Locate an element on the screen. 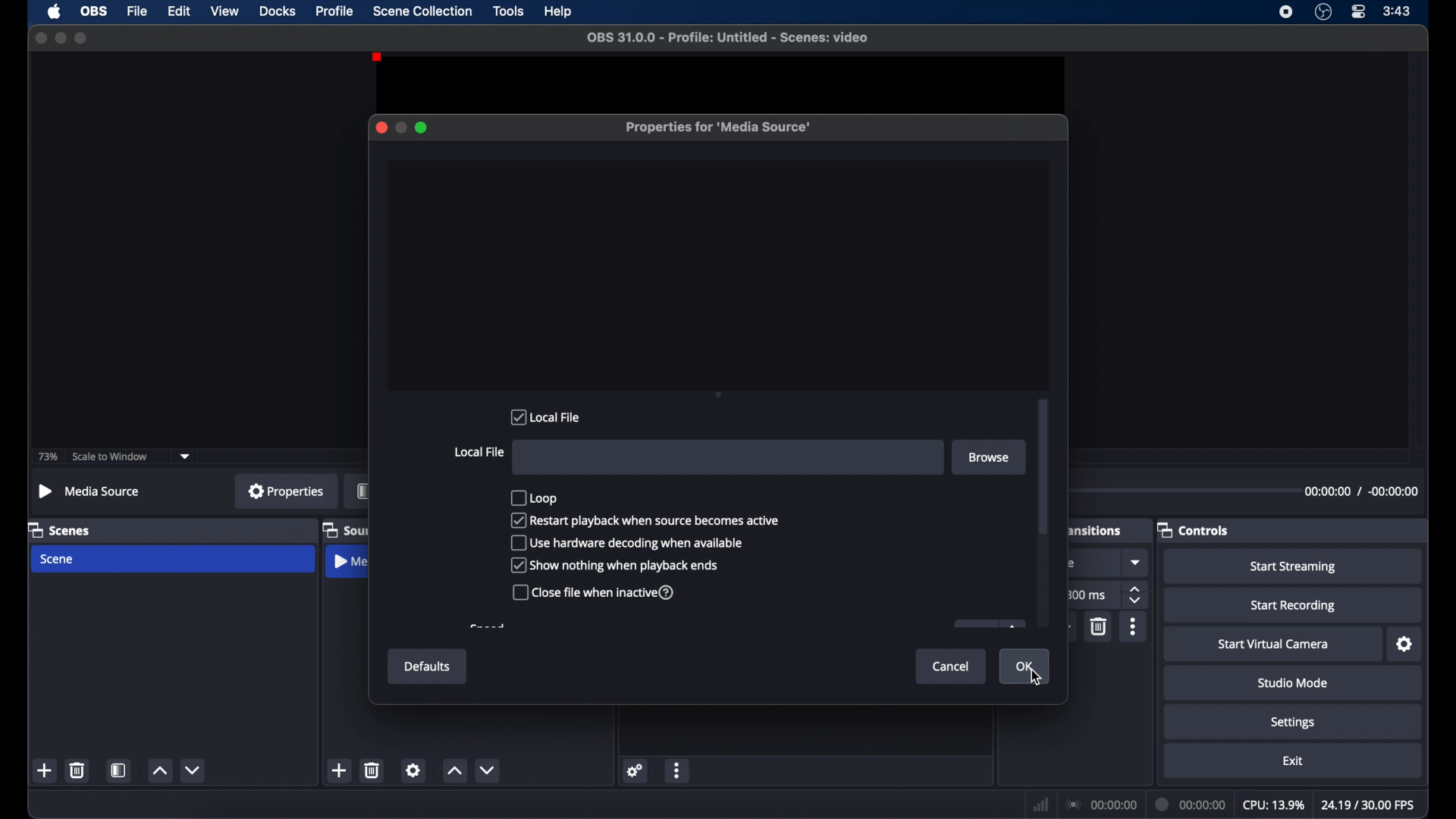  scene filters is located at coordinates (119, 770).